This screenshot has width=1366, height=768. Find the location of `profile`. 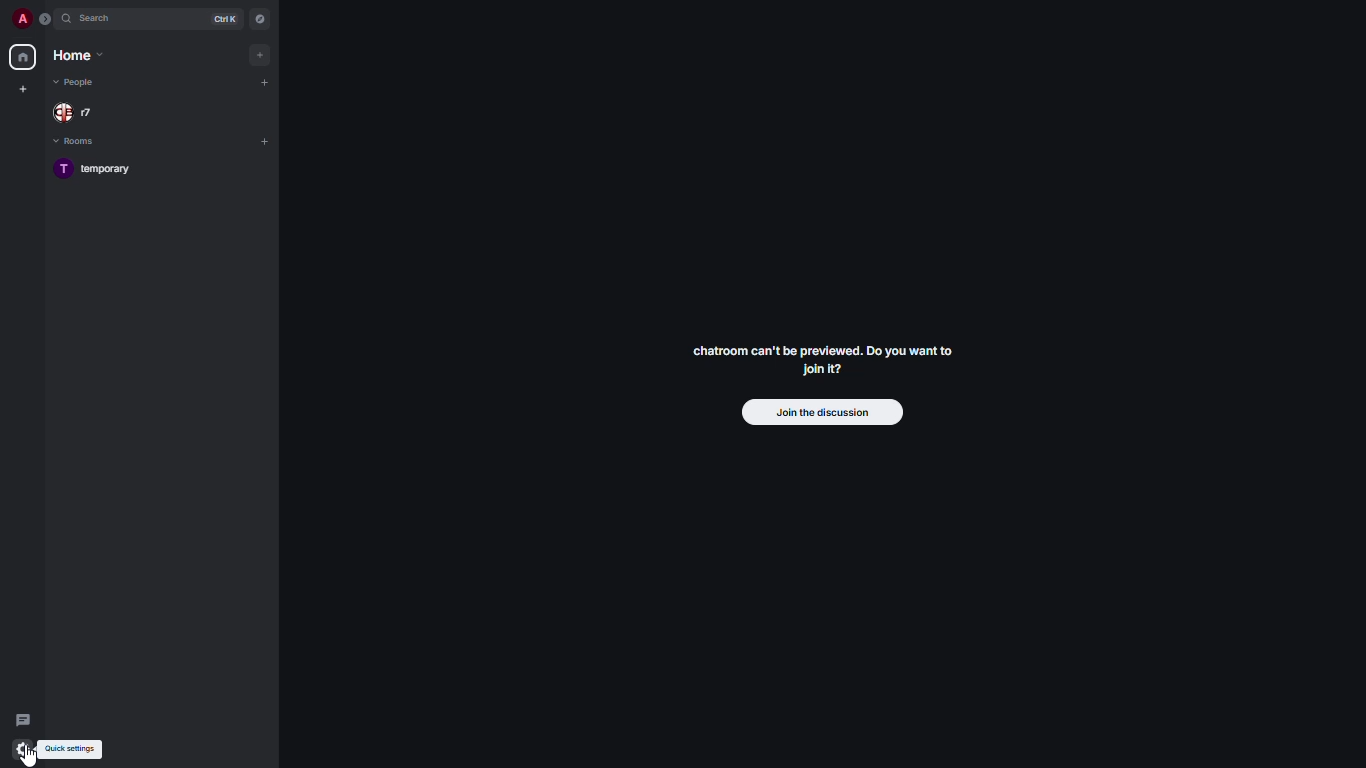

profile is located at coordinates (21, 18).